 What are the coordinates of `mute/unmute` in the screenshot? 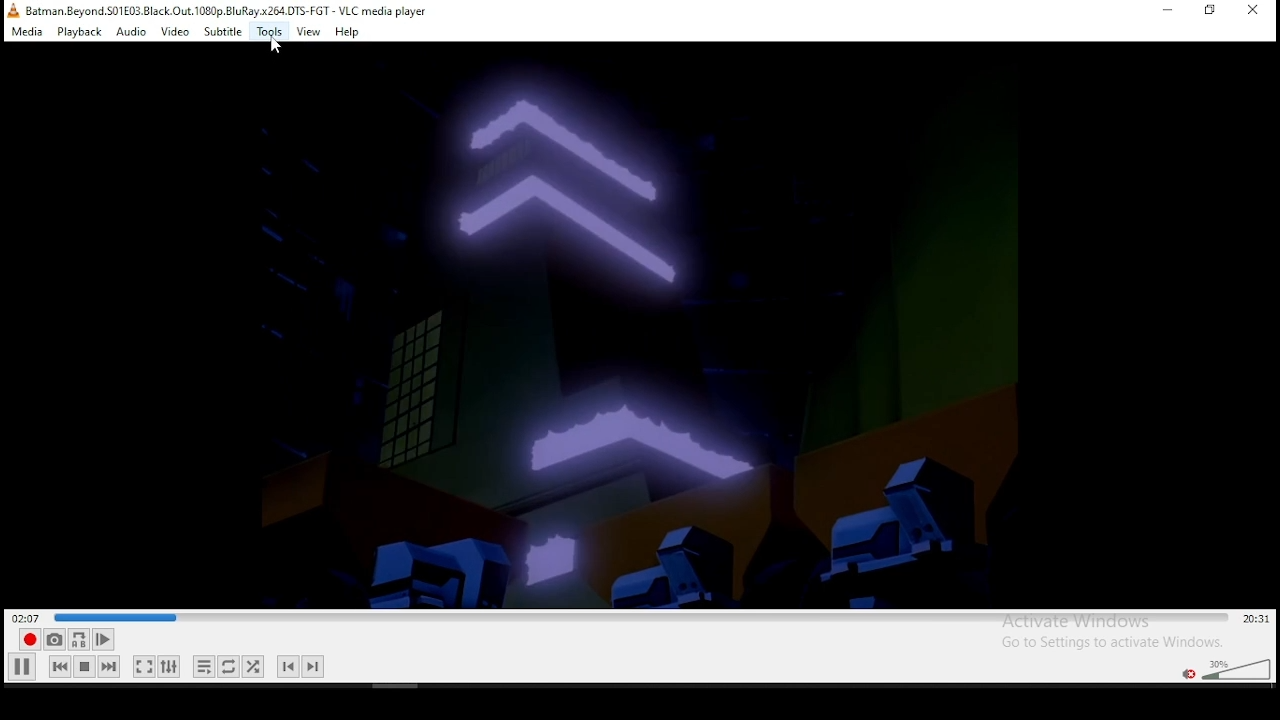 It's located at (1190, 674).